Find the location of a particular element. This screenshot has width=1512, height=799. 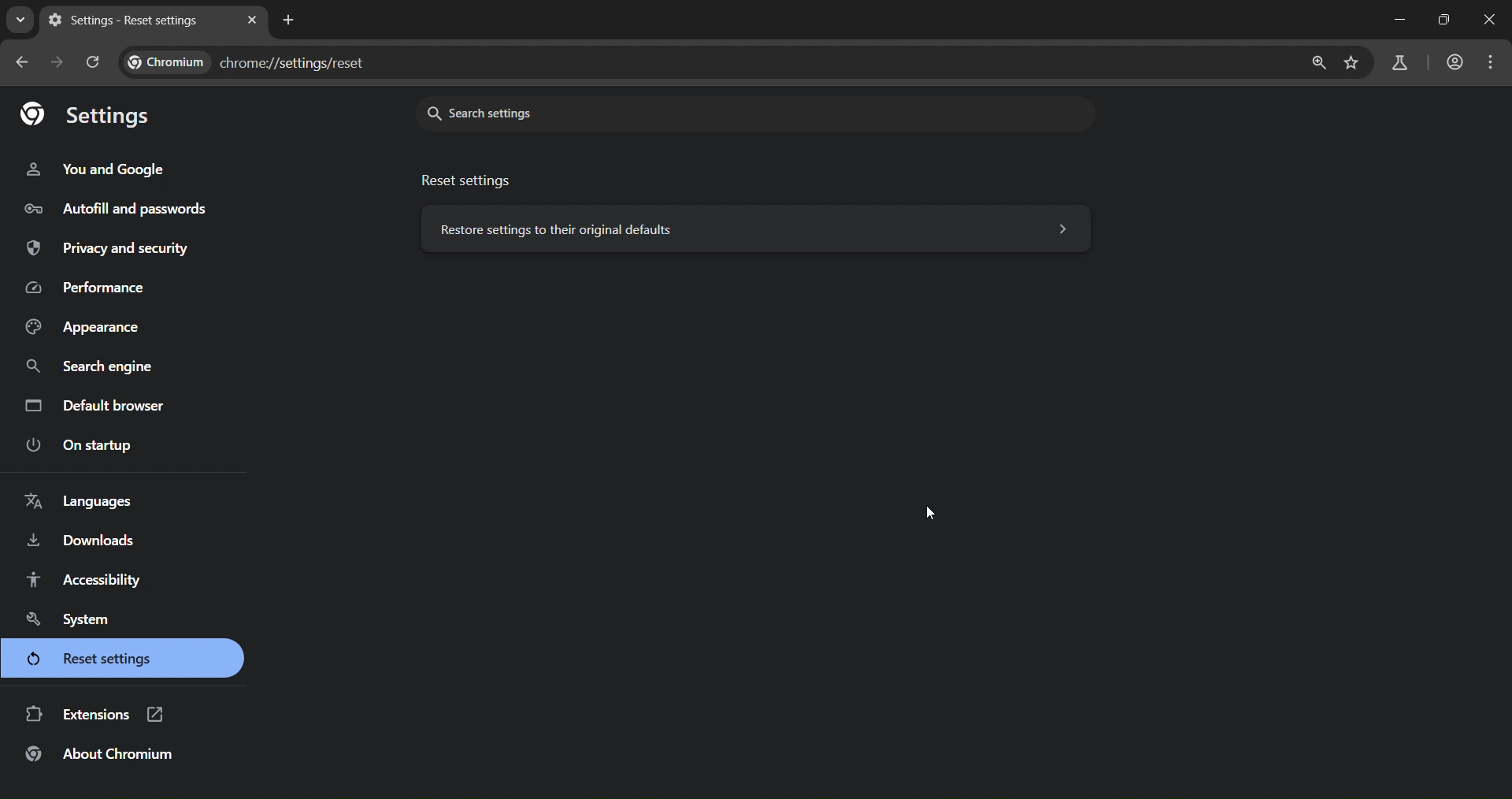

downloads is located at coordinates (84, 539).